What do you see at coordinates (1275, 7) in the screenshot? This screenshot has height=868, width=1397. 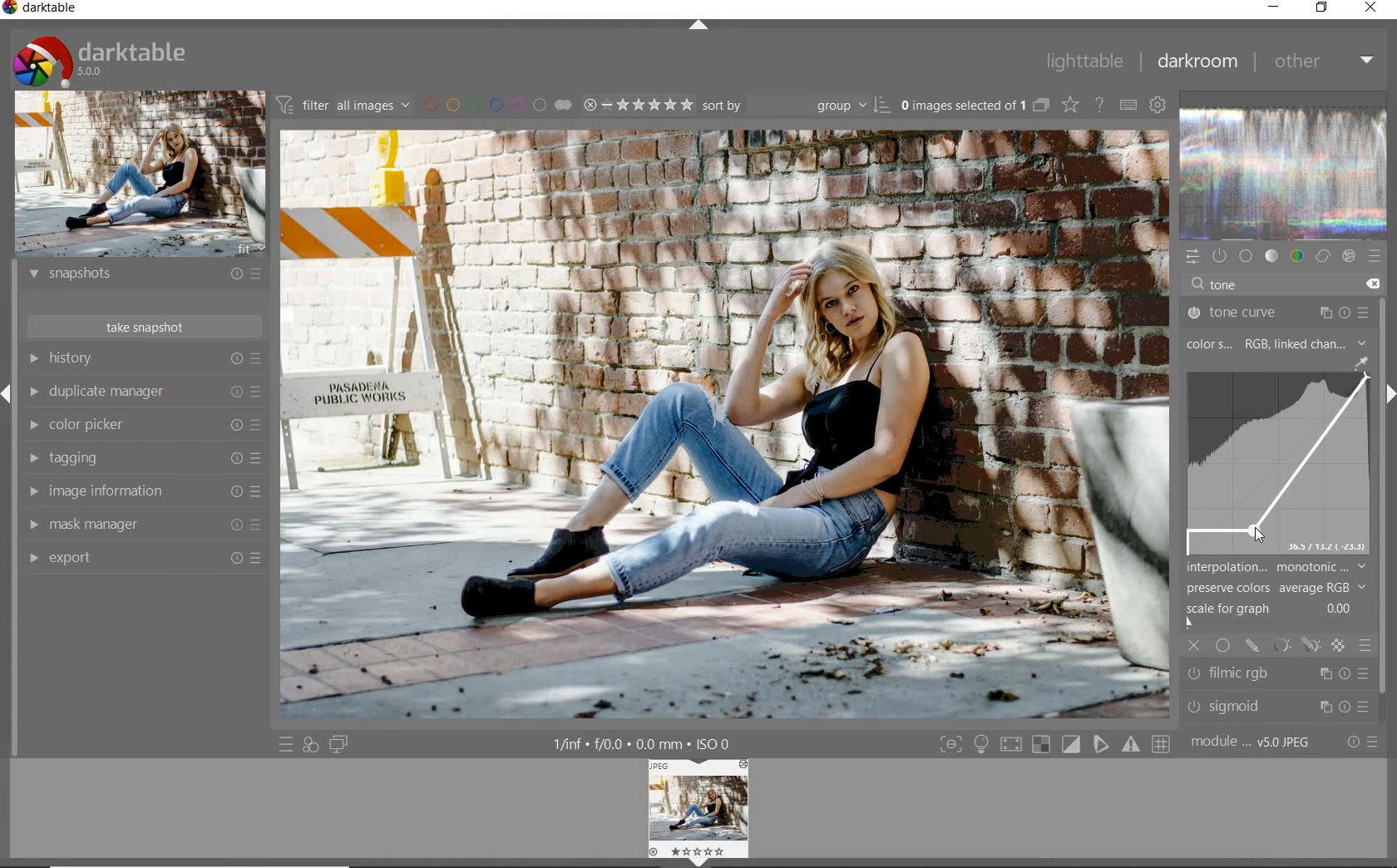 I see `minimize` at bounding box center [1275, 7].